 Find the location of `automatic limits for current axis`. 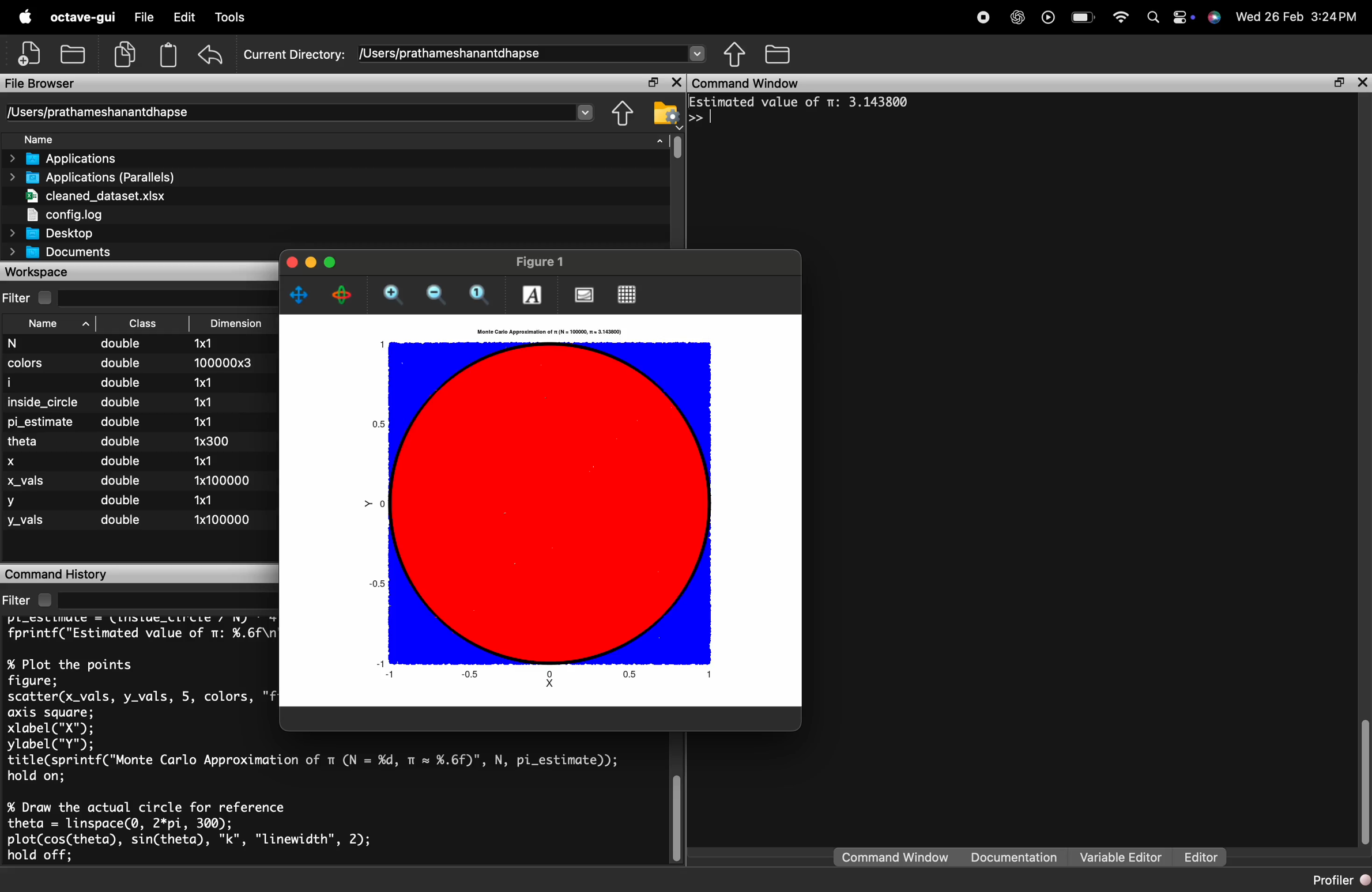

automatic limits for current axis is located at coordinates (479, 292).